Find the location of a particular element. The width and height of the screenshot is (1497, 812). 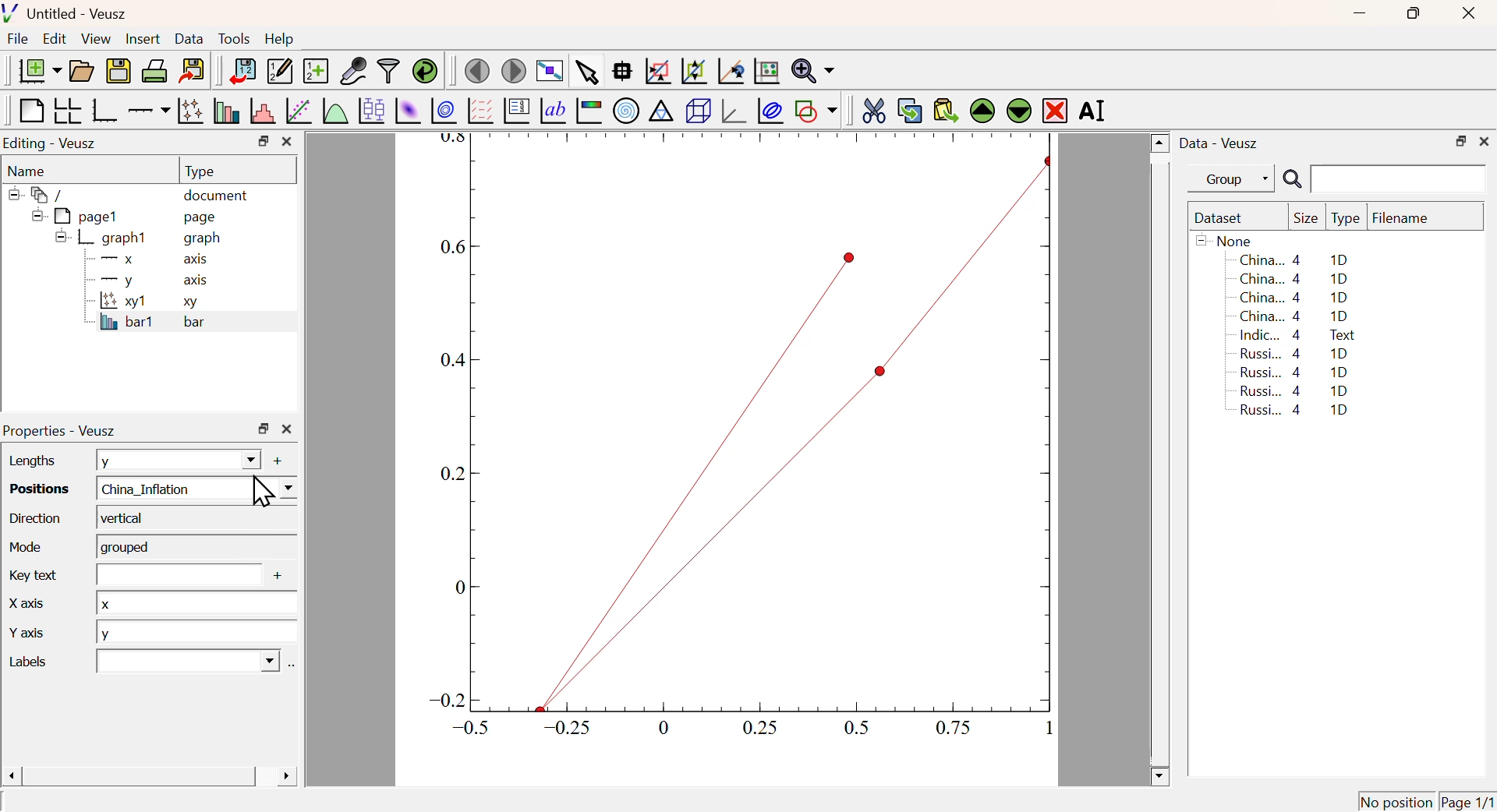

Text Label is located at coordinates (553, 111).